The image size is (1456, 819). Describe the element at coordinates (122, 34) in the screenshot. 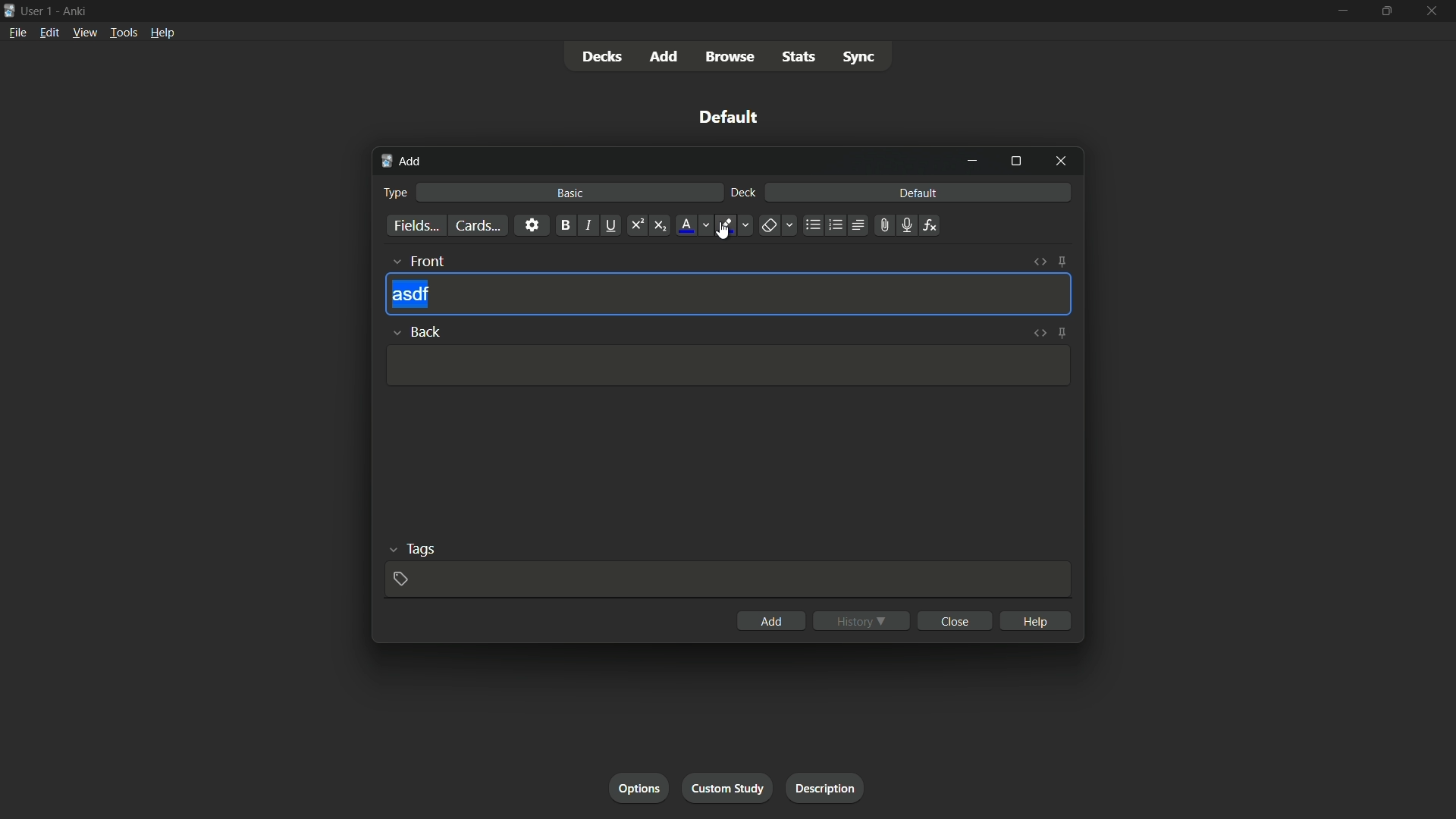

I see `tools` at that location.